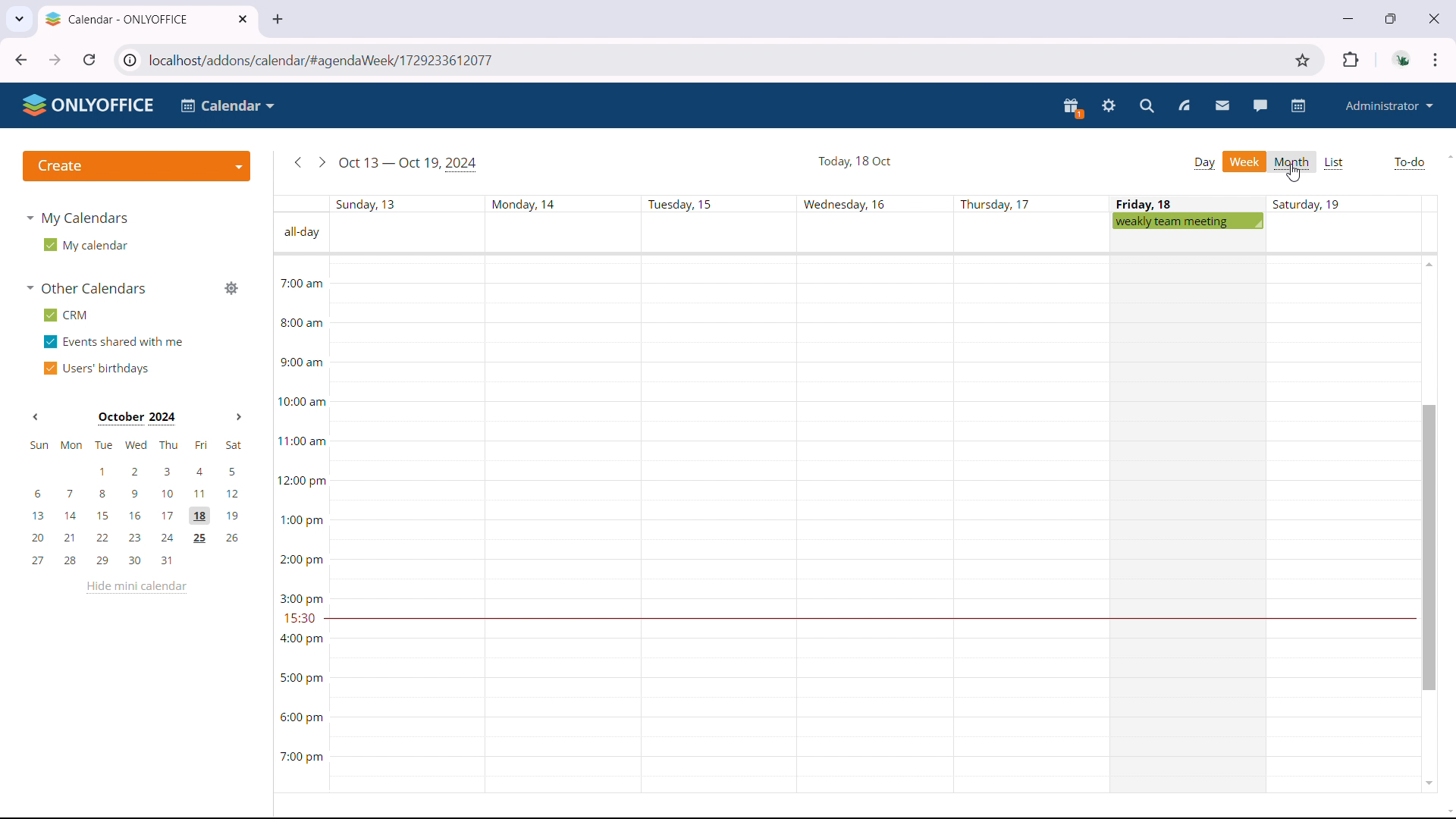  What do you see at coordinates (871, 526) in the screenshot?
I see `Schedule for Wednesday` at bounding box center [871, 526].